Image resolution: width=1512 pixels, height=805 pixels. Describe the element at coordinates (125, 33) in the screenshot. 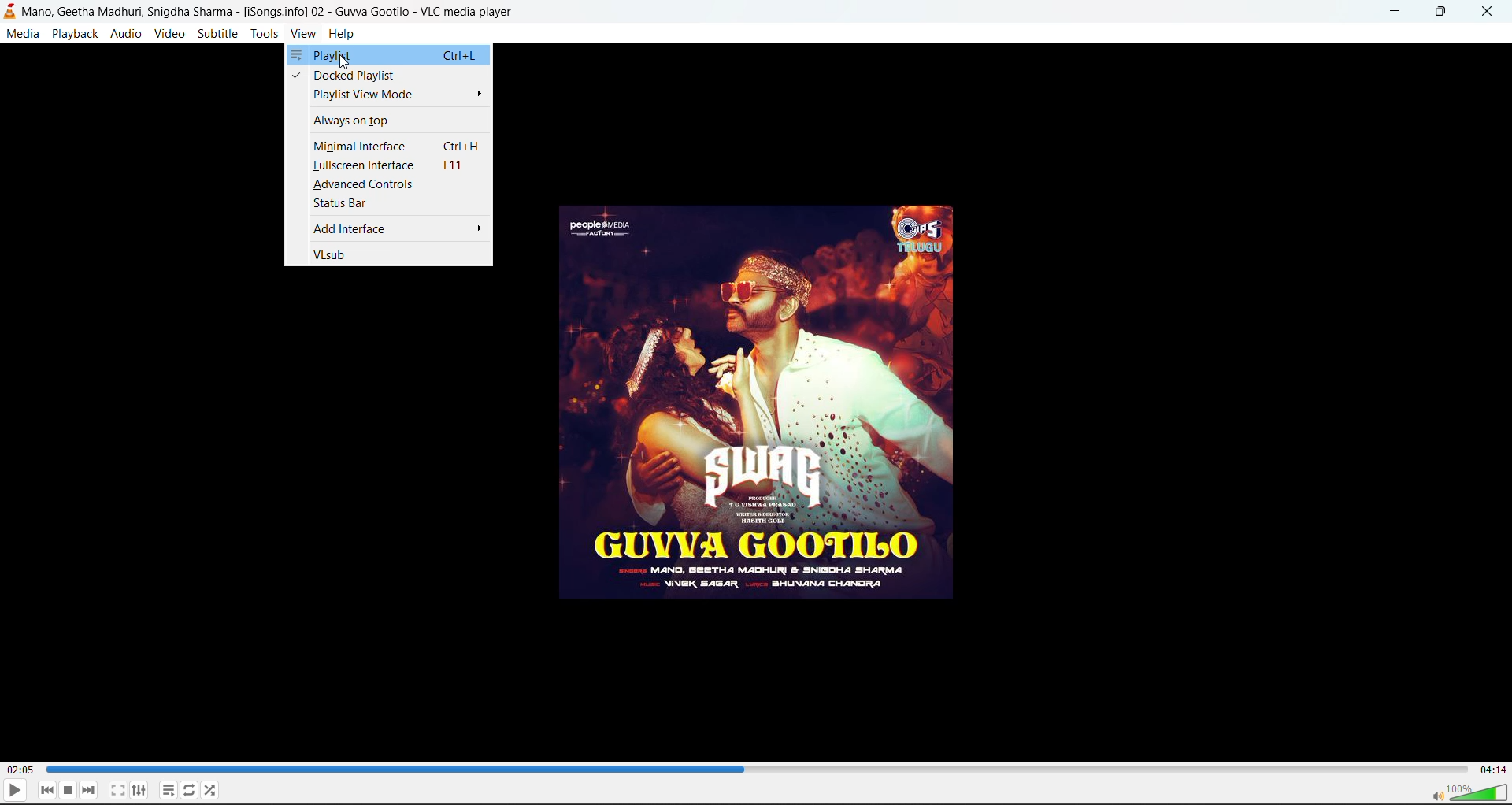

I see `audio` at that location.